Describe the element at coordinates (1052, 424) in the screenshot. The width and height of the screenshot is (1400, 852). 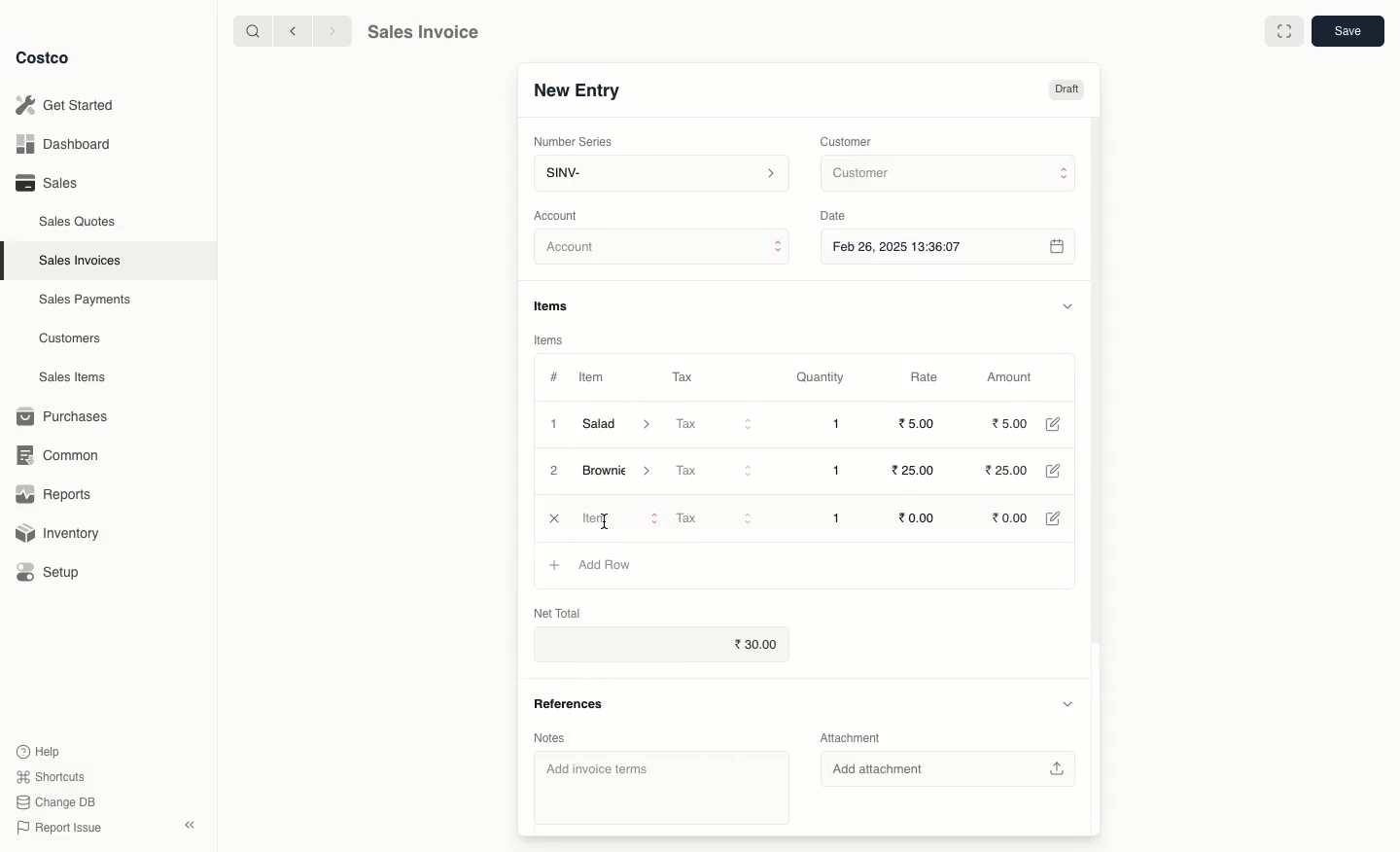
I see `Edit` at that location.